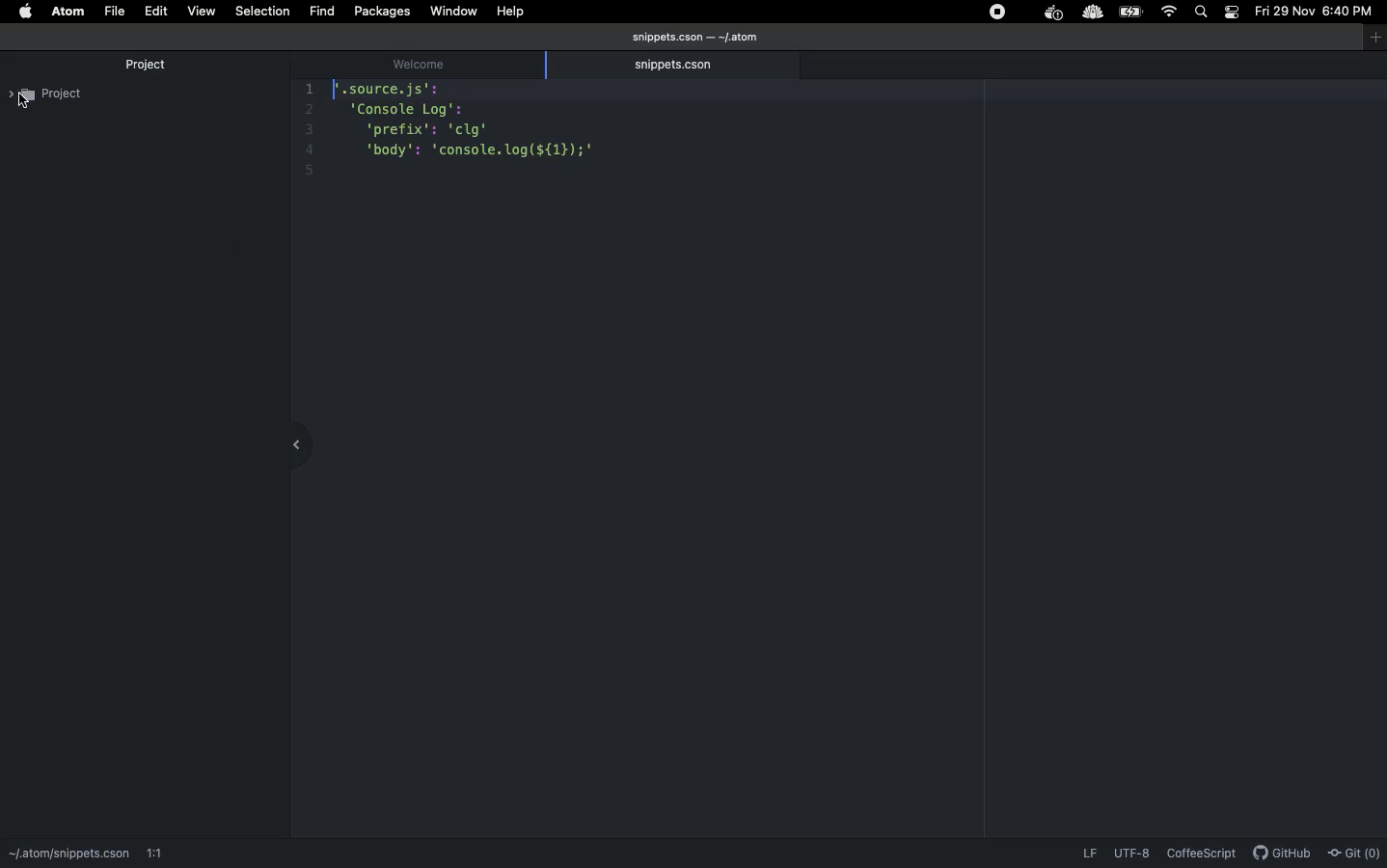 Image resolution: width=1387 pixels, height=868 pixels. I want to click on line number, so click(308, 133).